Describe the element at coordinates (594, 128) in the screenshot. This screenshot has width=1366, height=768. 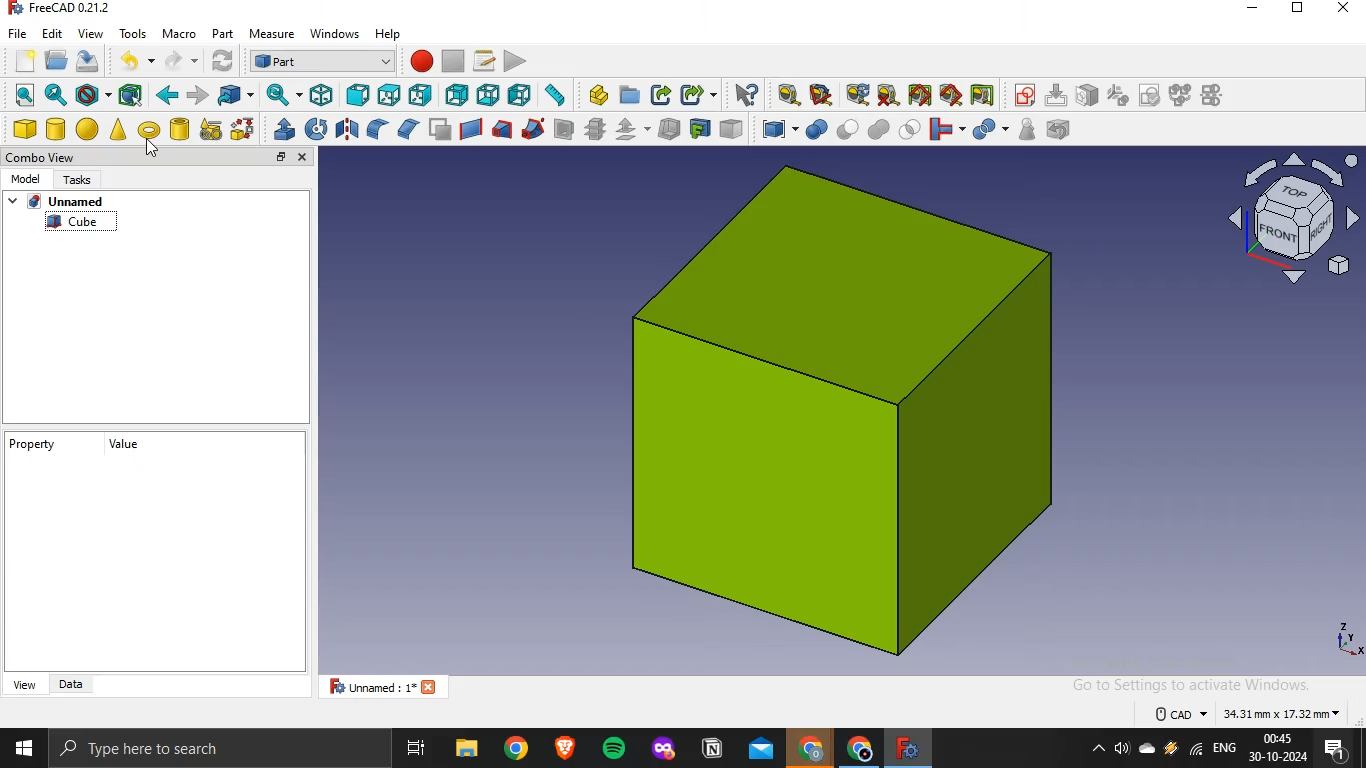
I see `cross section` at that location.